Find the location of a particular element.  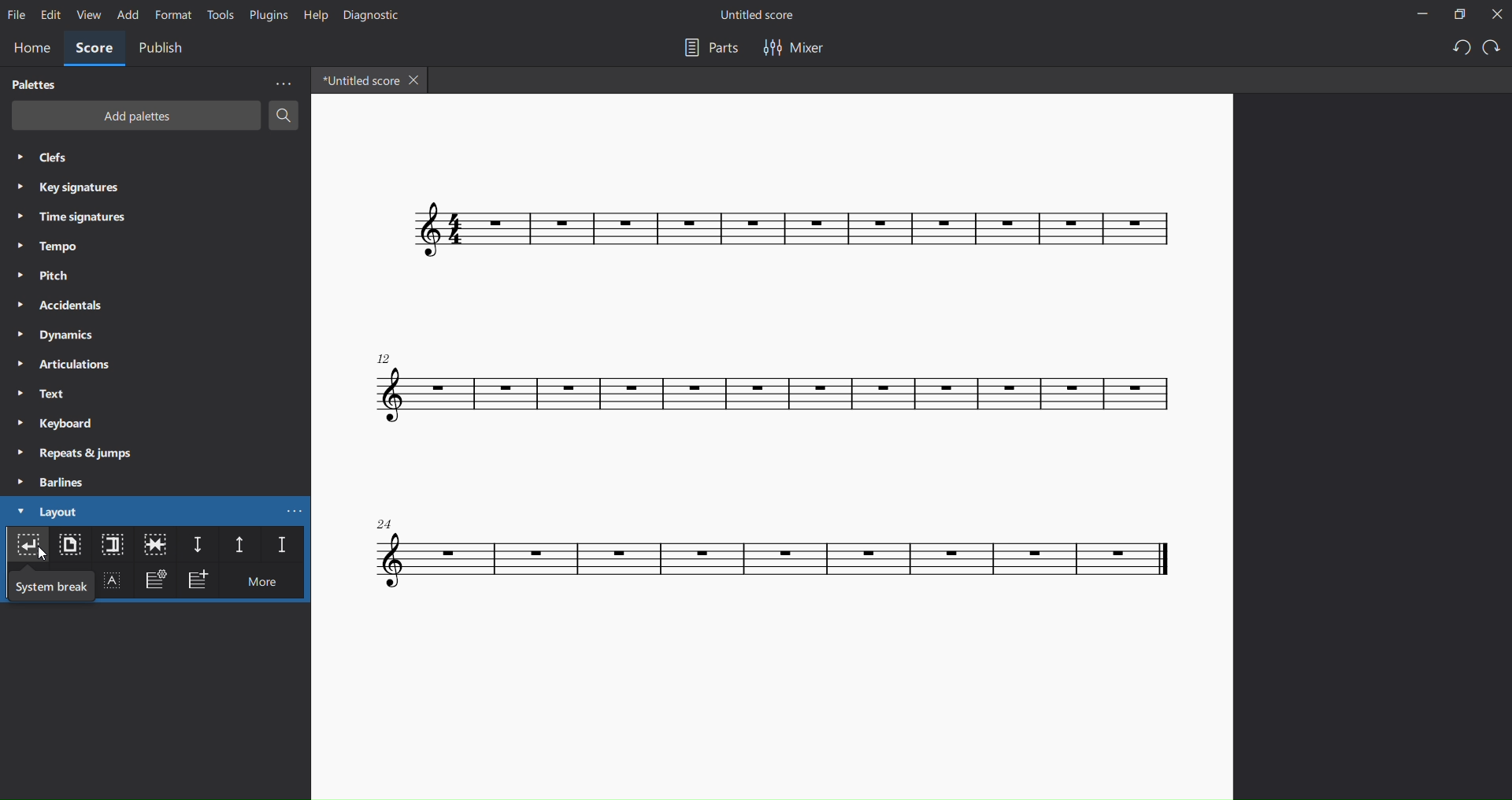

tools is located at coordinates (218, 16).